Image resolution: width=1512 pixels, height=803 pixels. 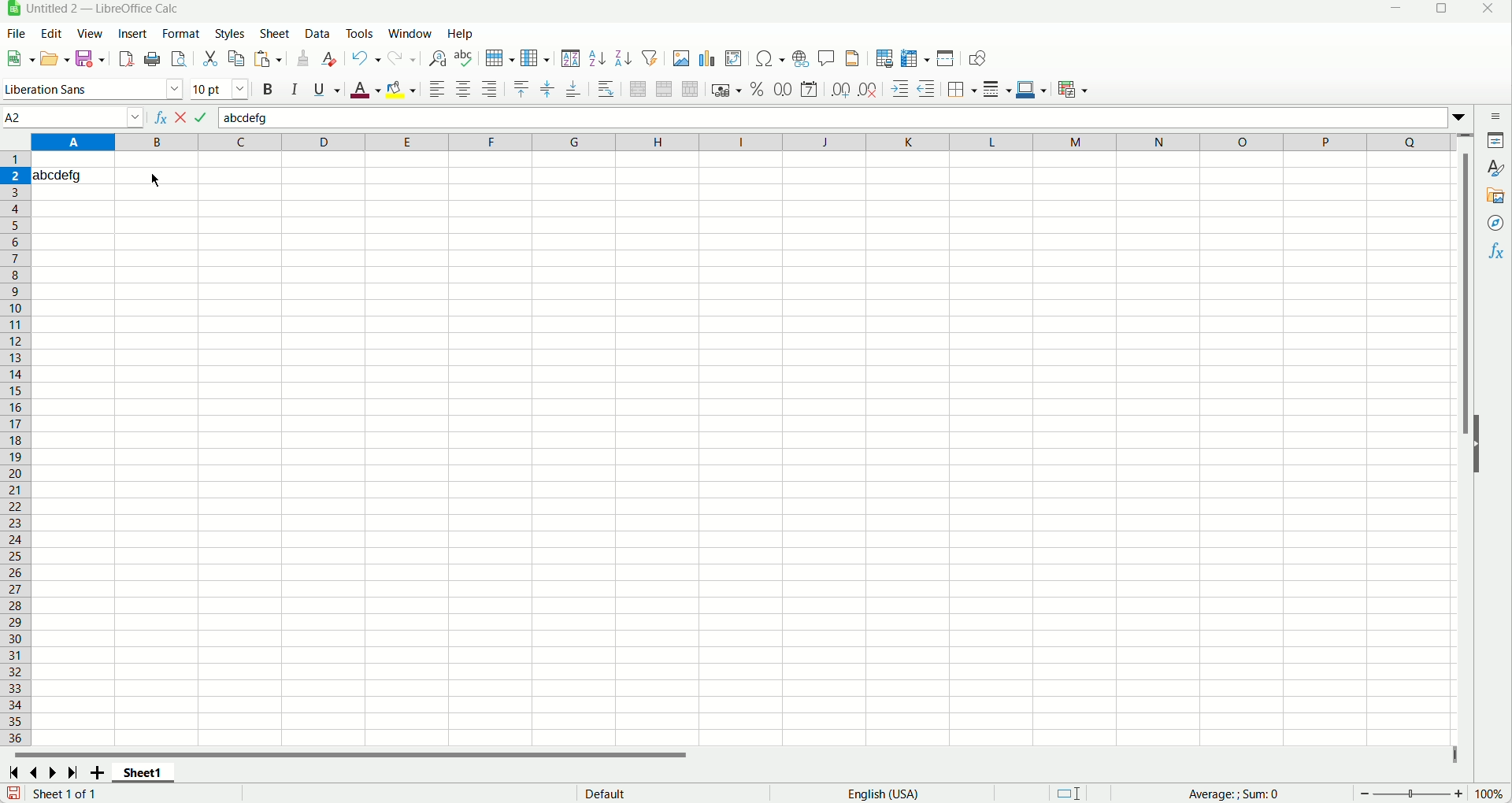 What do you see at coordinates (1438, 9) in the screenshot?
I see `maximize` at bounding box center [1438, 9].